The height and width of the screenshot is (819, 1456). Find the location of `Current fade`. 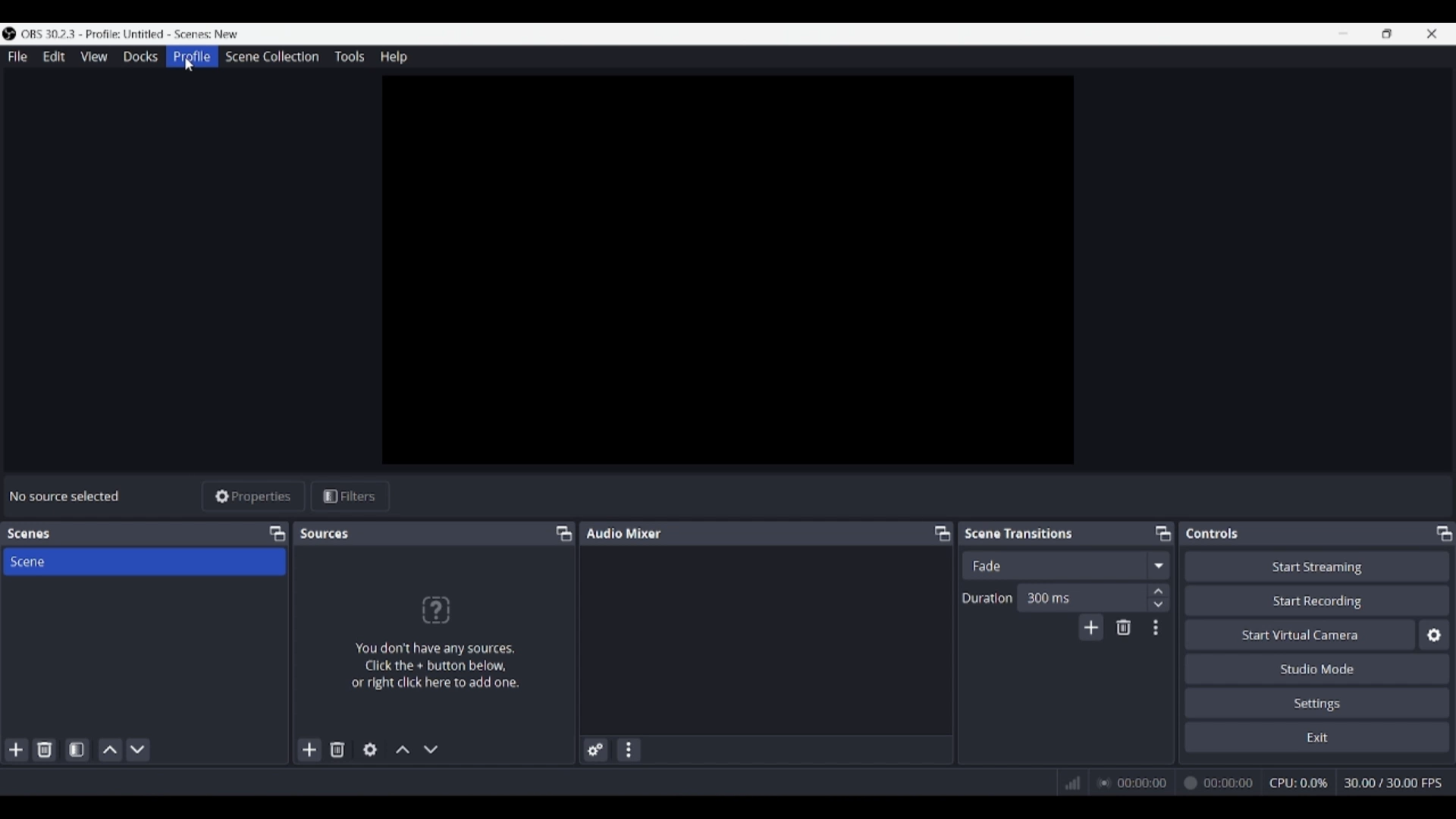

Current fade is located at coordinates (1053, 565).